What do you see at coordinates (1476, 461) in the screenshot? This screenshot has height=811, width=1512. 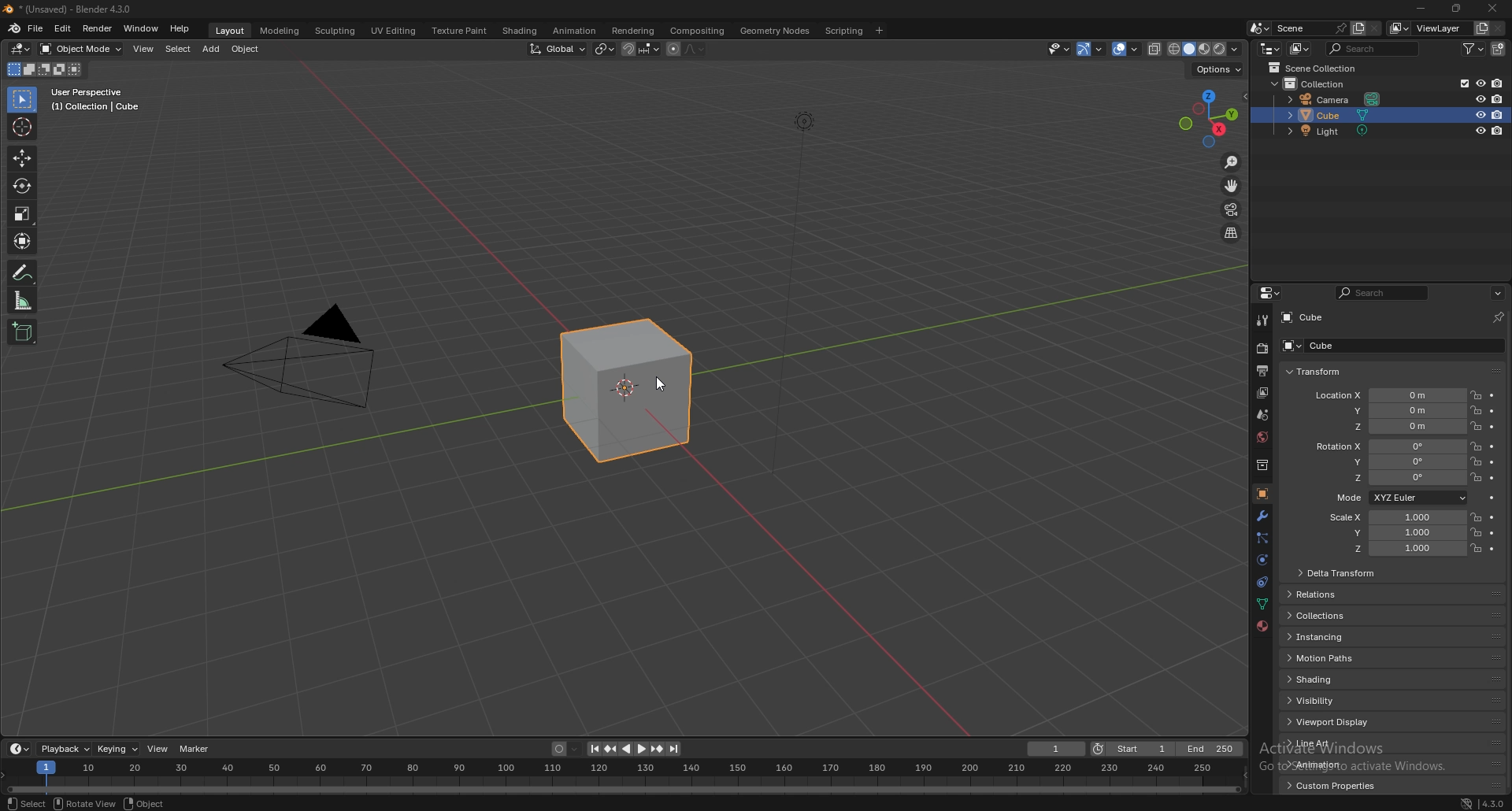 I see `lock location` at bounding box center [1476, 461].